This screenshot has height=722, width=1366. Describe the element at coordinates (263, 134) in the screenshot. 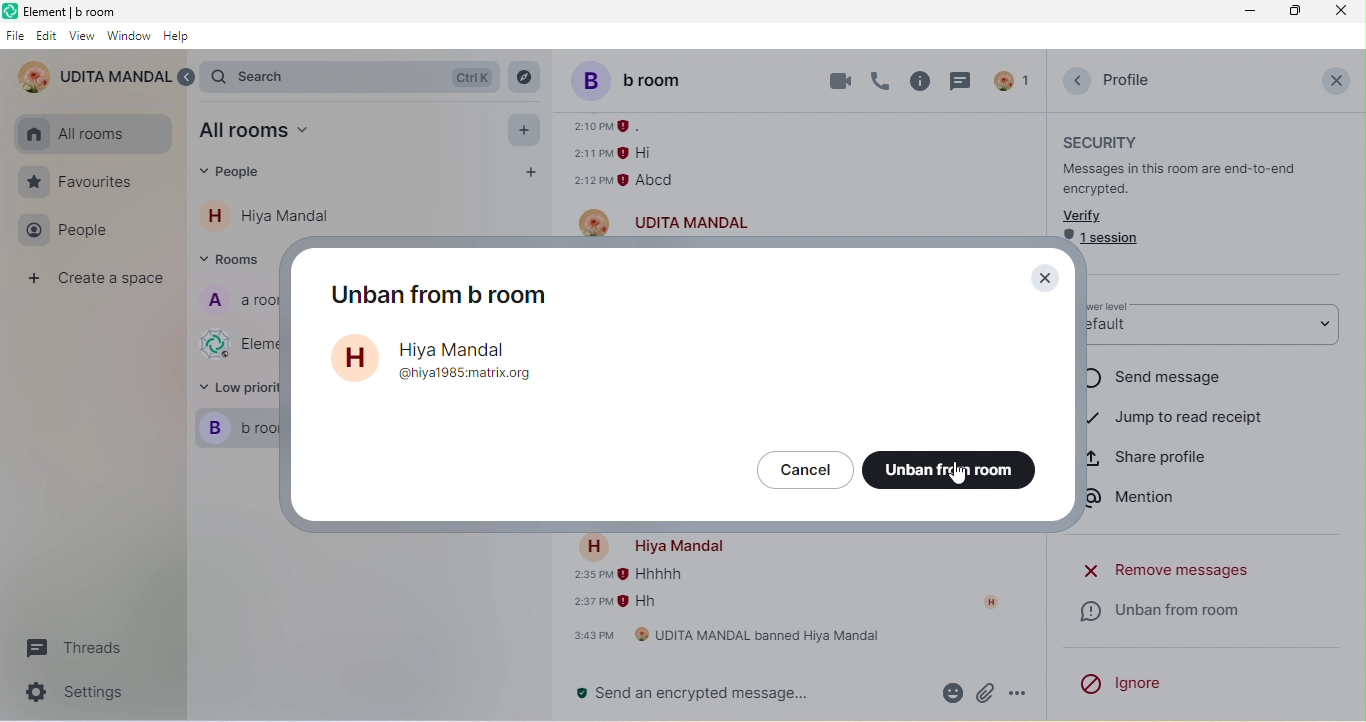

I see `all room` at that location.